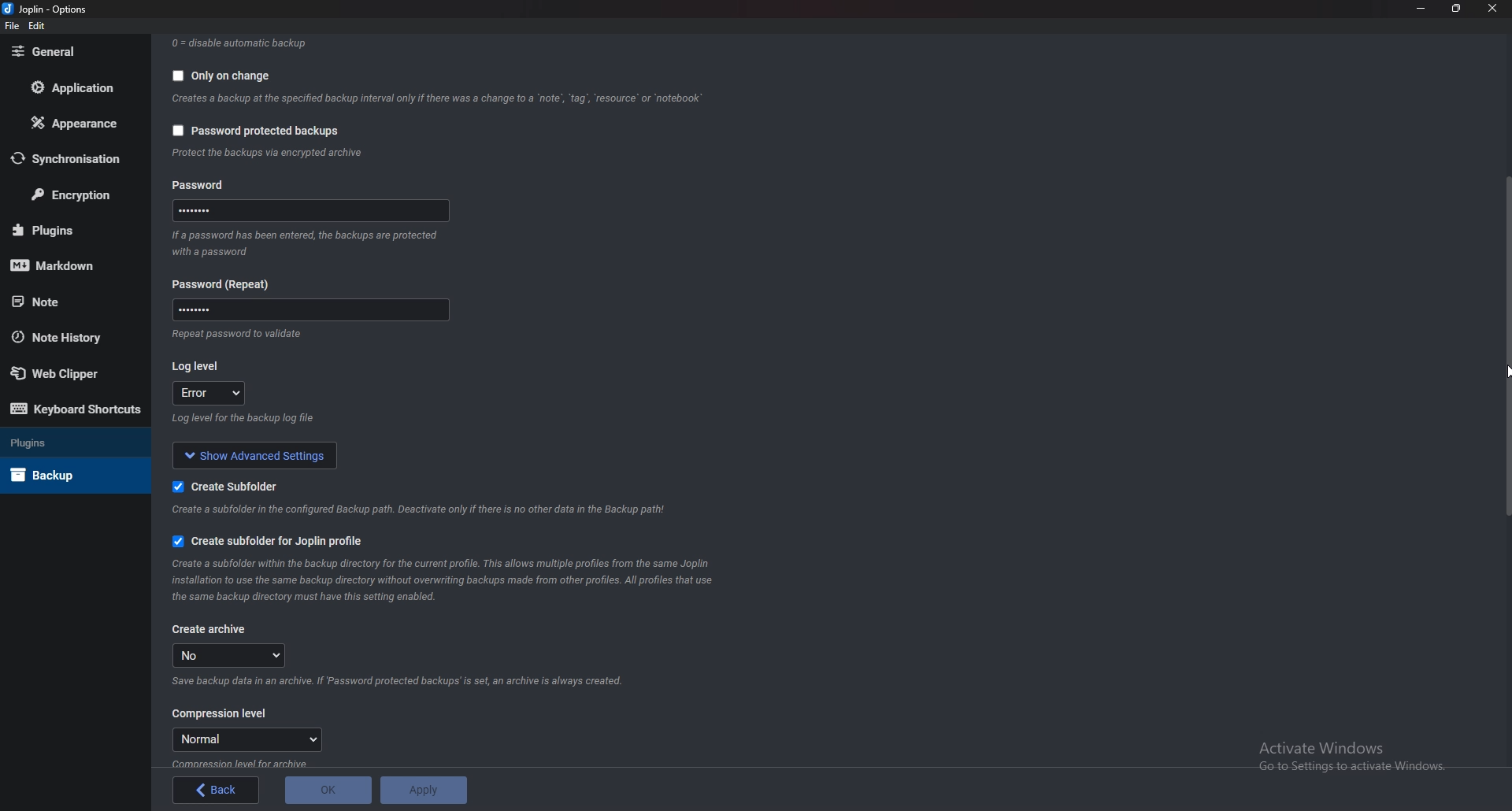 The height and width of the screenshot is (811, 1512). Describe the element at coordinates (400, 682) in the screenshot. I see `Info` at that location.